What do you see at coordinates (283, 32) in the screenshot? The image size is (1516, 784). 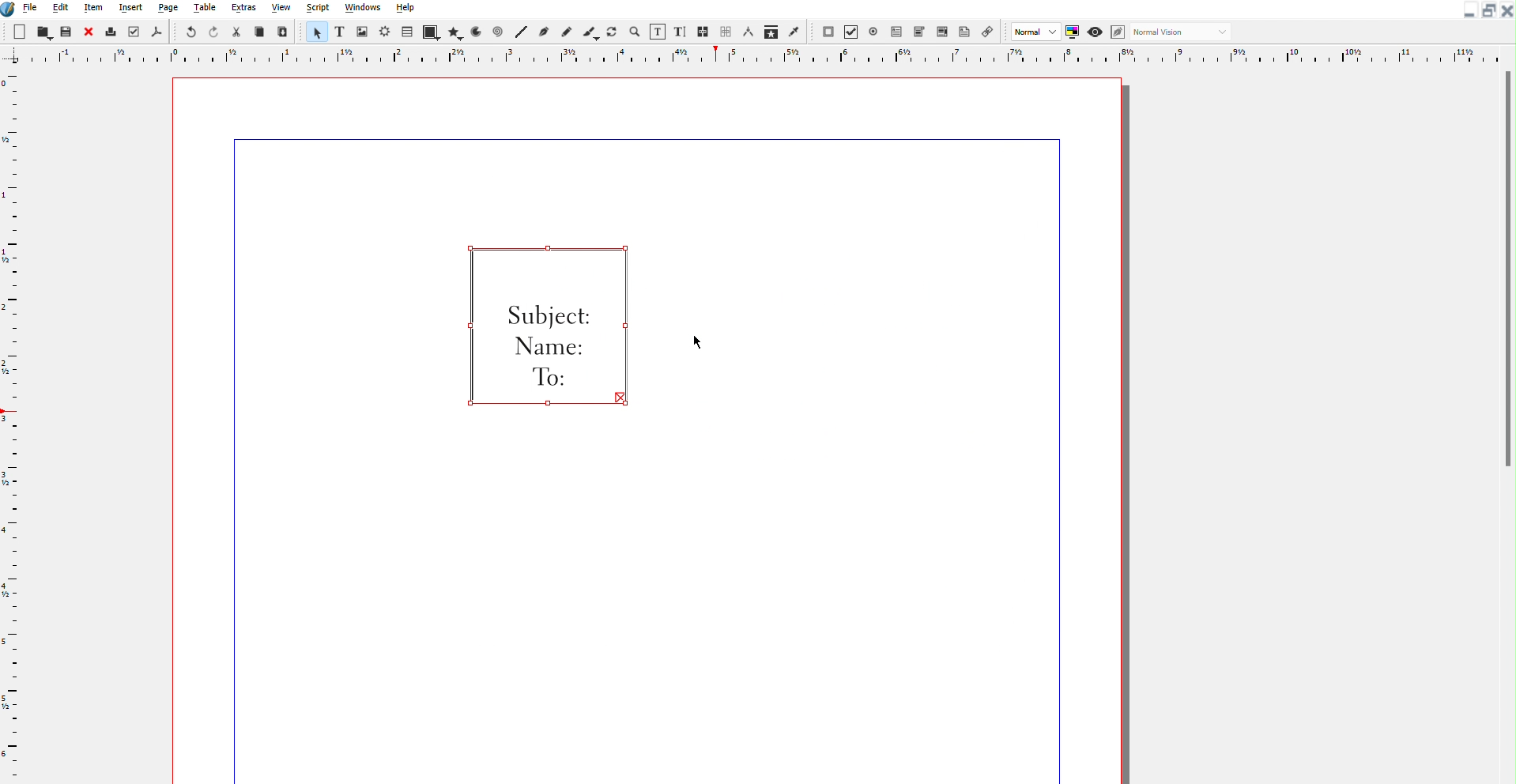 I see `Paste` at bounding box center [283, 32].